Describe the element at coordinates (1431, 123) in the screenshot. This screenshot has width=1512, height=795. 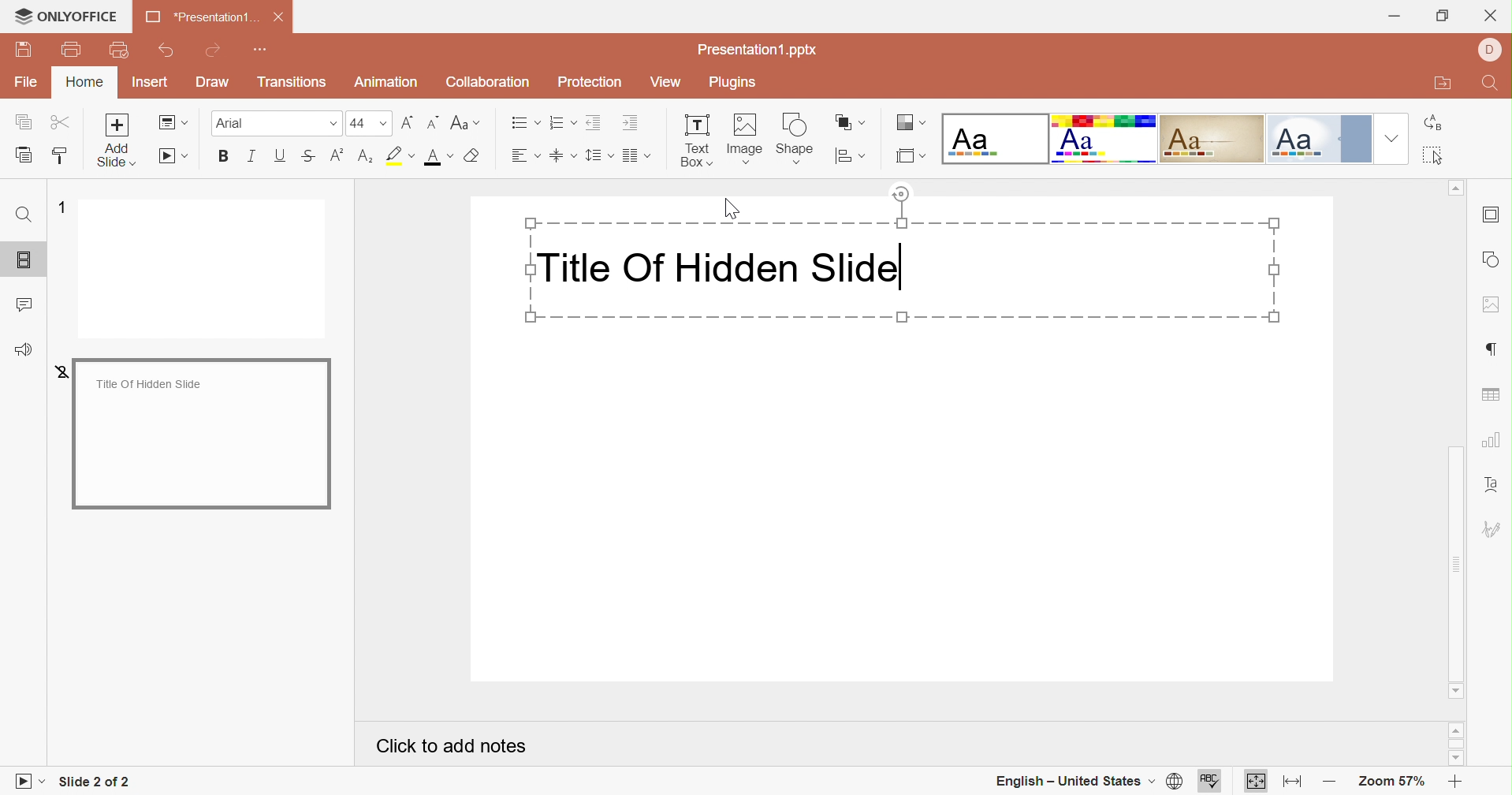
I see `Replace` at that location.